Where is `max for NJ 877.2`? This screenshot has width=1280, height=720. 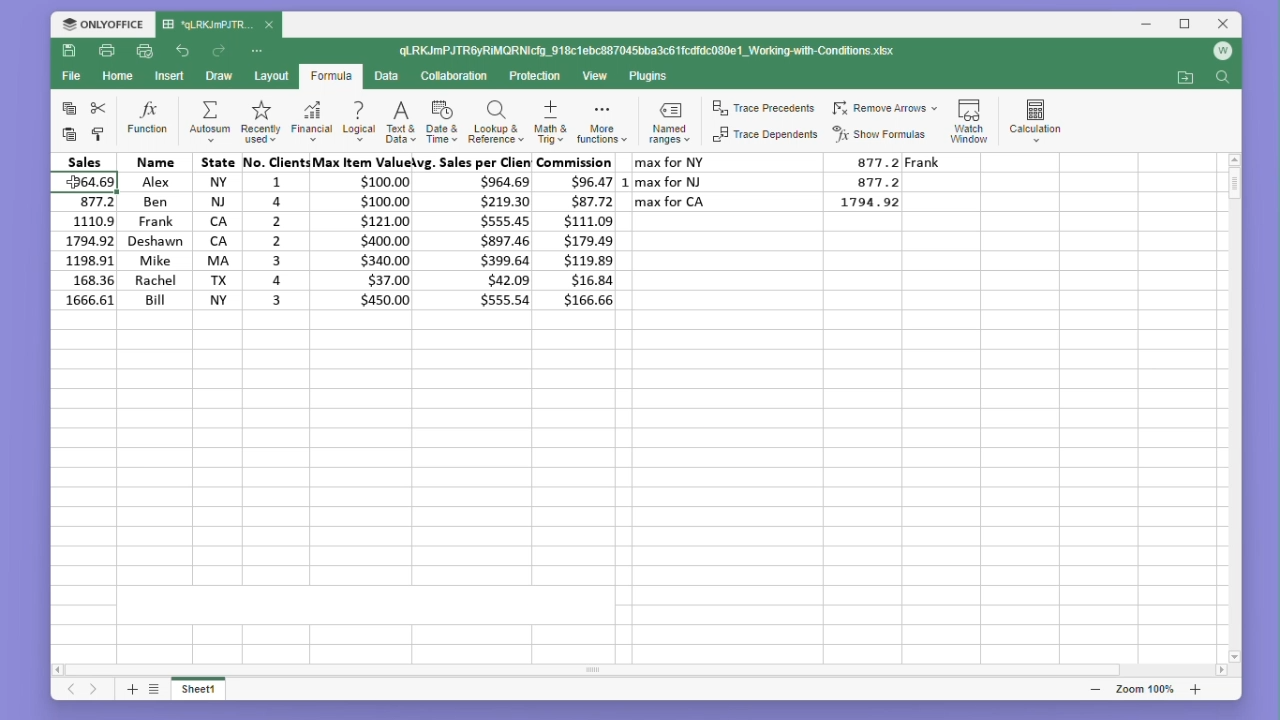 max for NJ 877.2 is located at coordinates (770, 181).